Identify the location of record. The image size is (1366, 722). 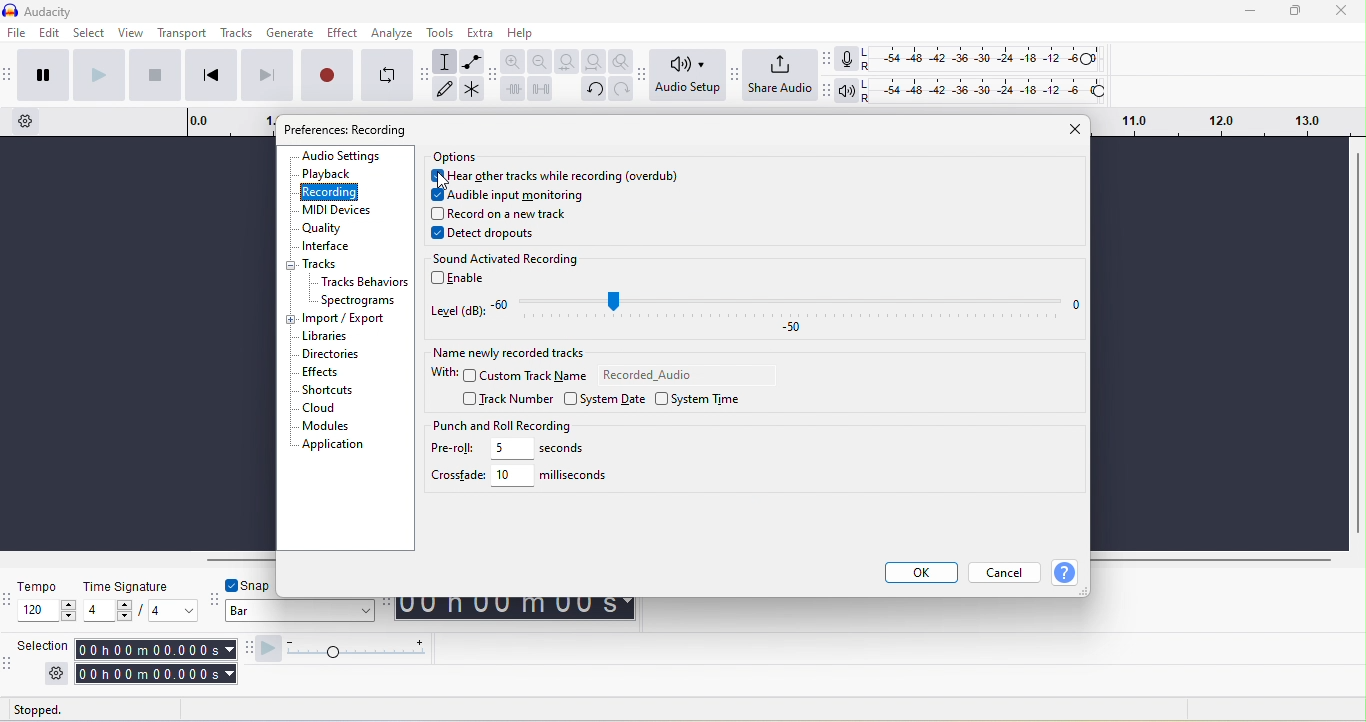
(327, 75).